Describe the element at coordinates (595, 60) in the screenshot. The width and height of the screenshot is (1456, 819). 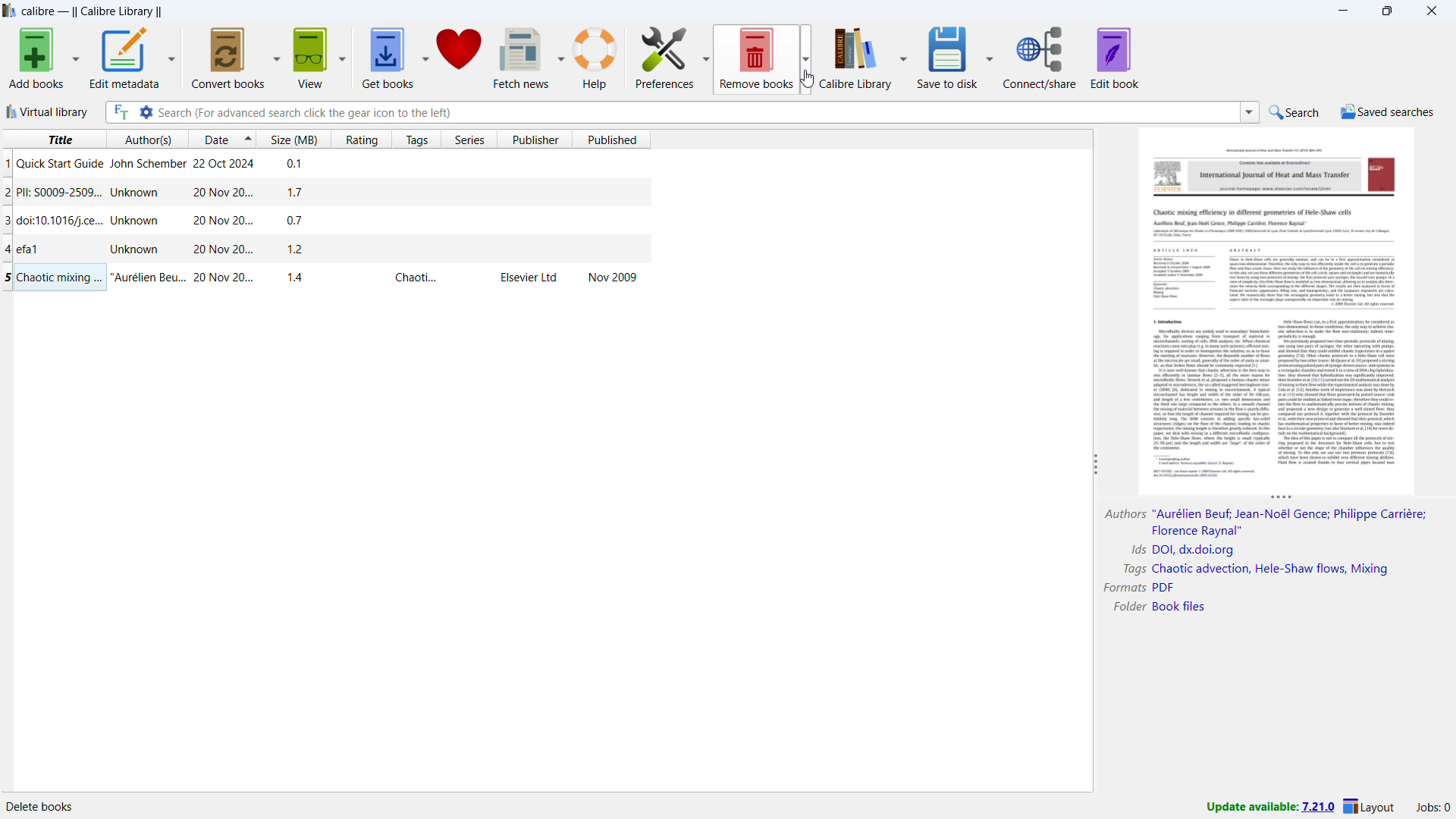
I see `help` at that location.